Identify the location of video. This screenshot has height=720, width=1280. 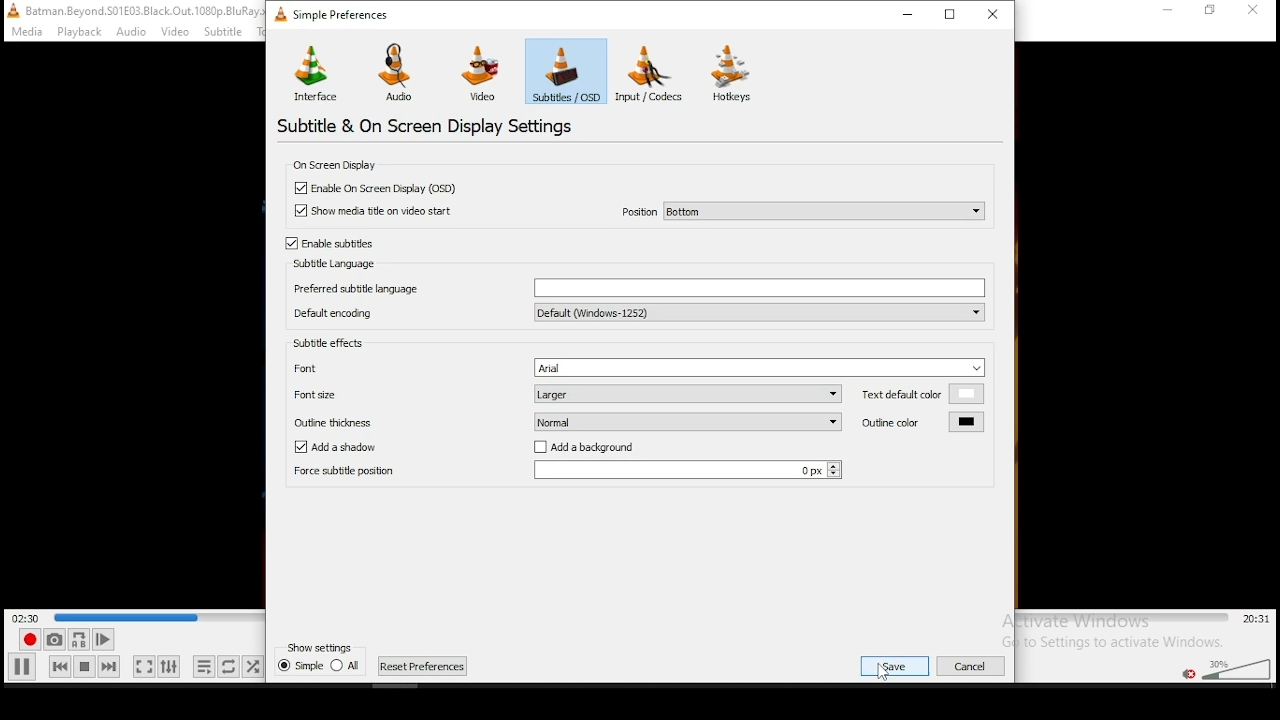
(483, 75).